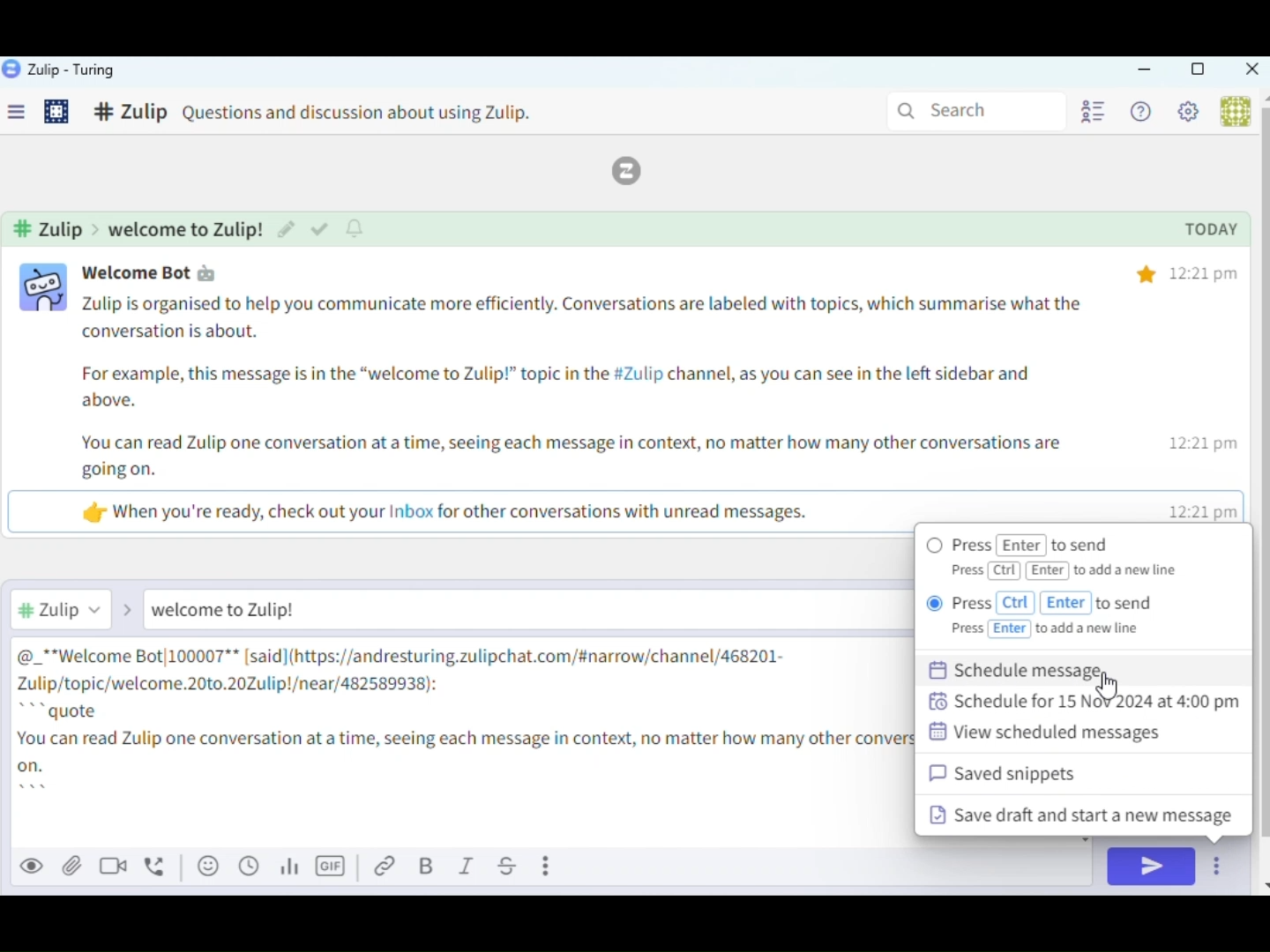 The image size is (1270, 952). I want to click on mark, so click(318, 230).